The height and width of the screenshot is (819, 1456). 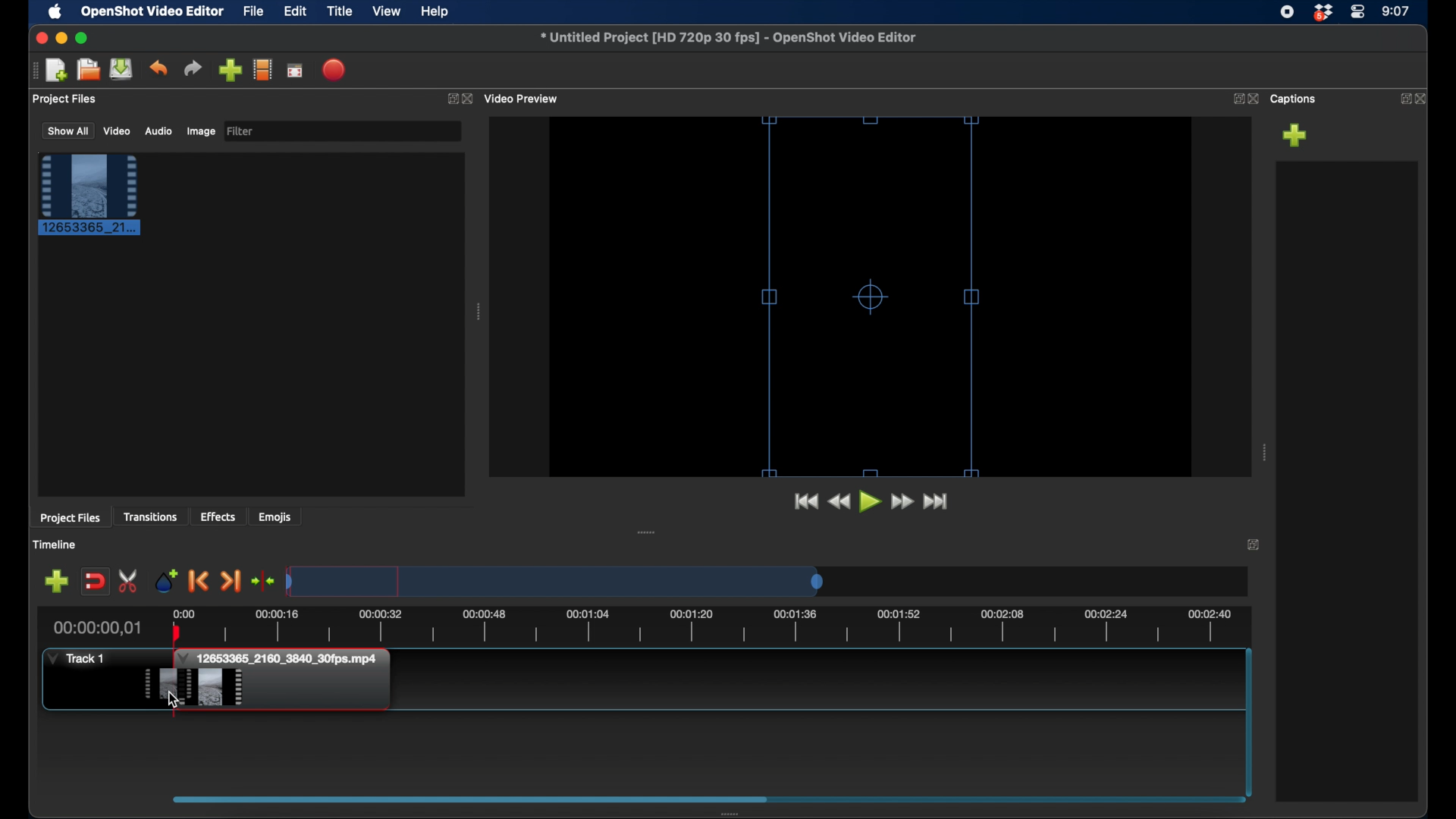 What do you see at coordinates (83, 38) in the screenshot?
I see `maximize` at bounding box center [83, 38].